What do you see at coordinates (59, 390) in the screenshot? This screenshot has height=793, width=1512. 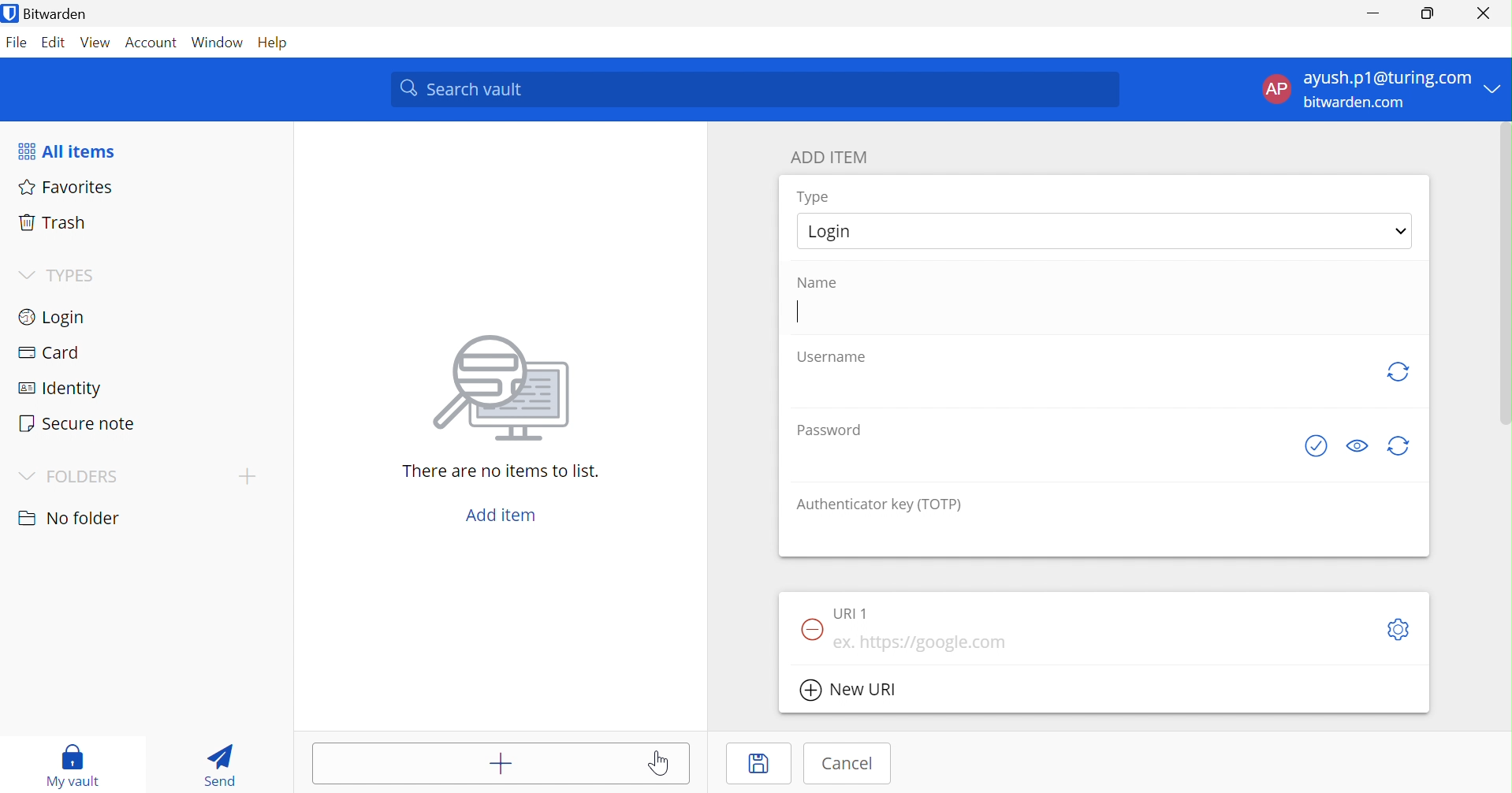 I see `Identify` at bounding box center [59, 390].